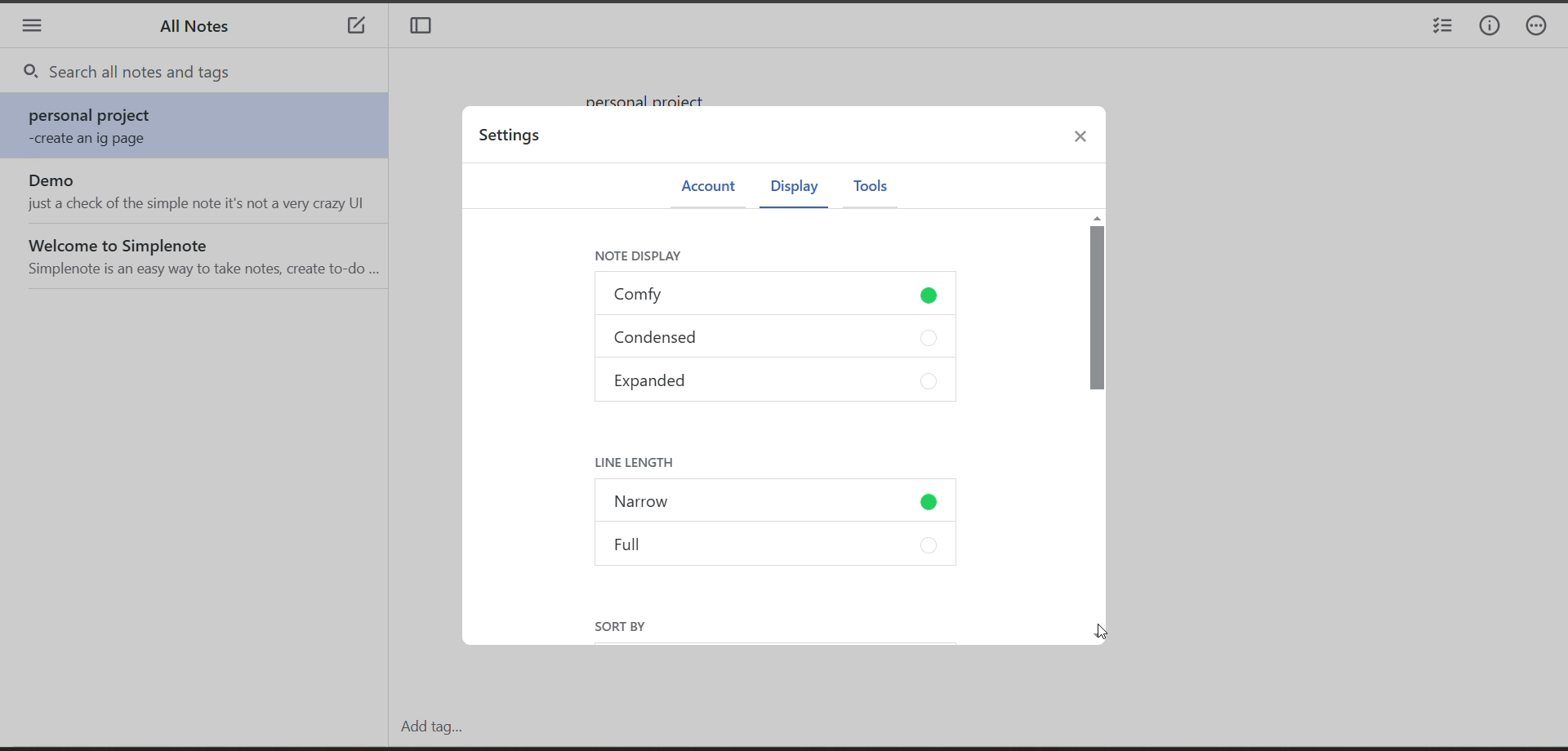 The height and width of the screenshot is (751, 1568). What do you see at coordinates (791, 189) in the screenshot?
I see `display` at bounding box center [791, 189].